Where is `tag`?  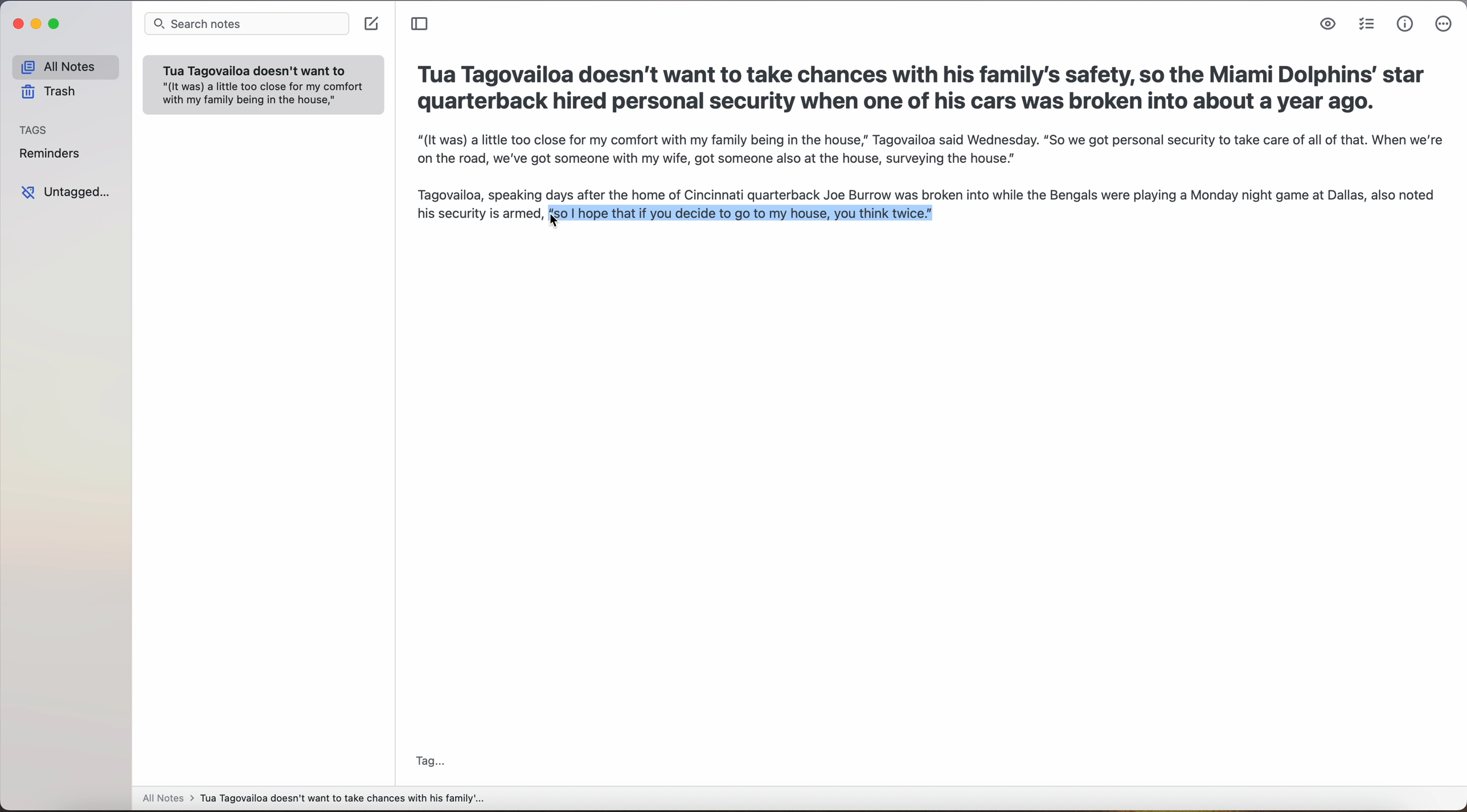 tag is located at coordinates (428, 761).